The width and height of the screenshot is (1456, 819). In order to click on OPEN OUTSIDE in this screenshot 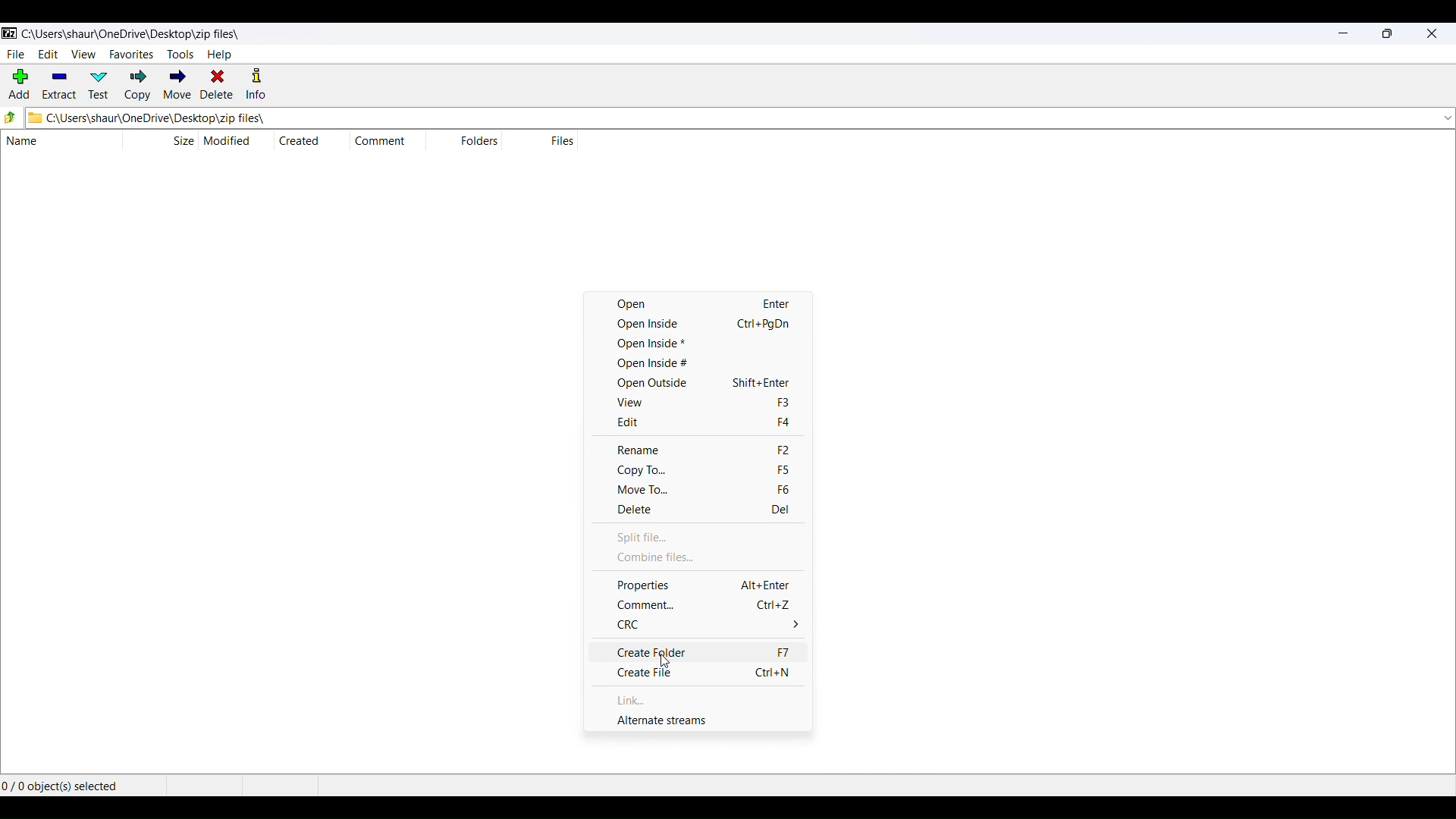, I will do `click(711, 383)`.